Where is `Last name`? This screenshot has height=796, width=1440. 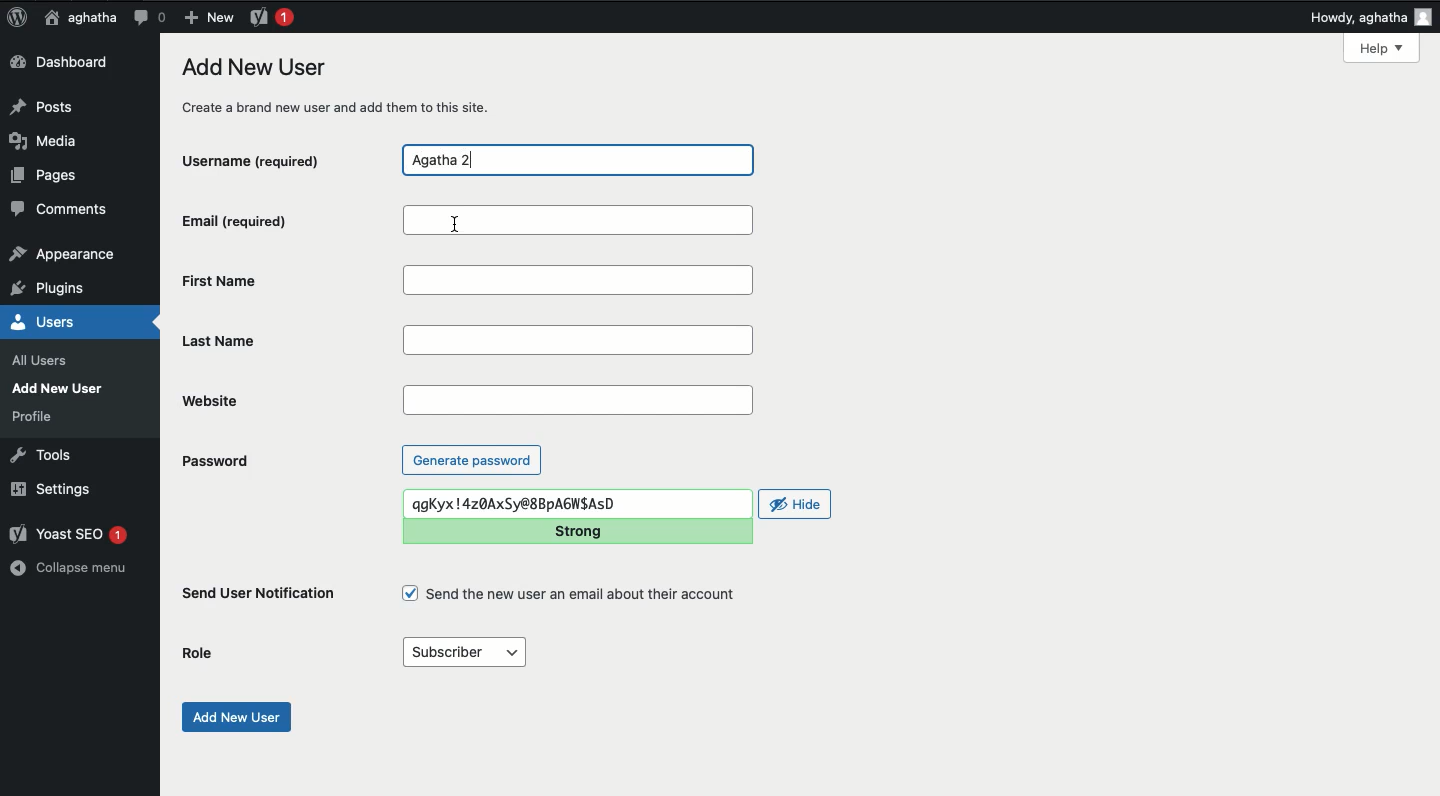
Last name is located at coordinates (288, 342).